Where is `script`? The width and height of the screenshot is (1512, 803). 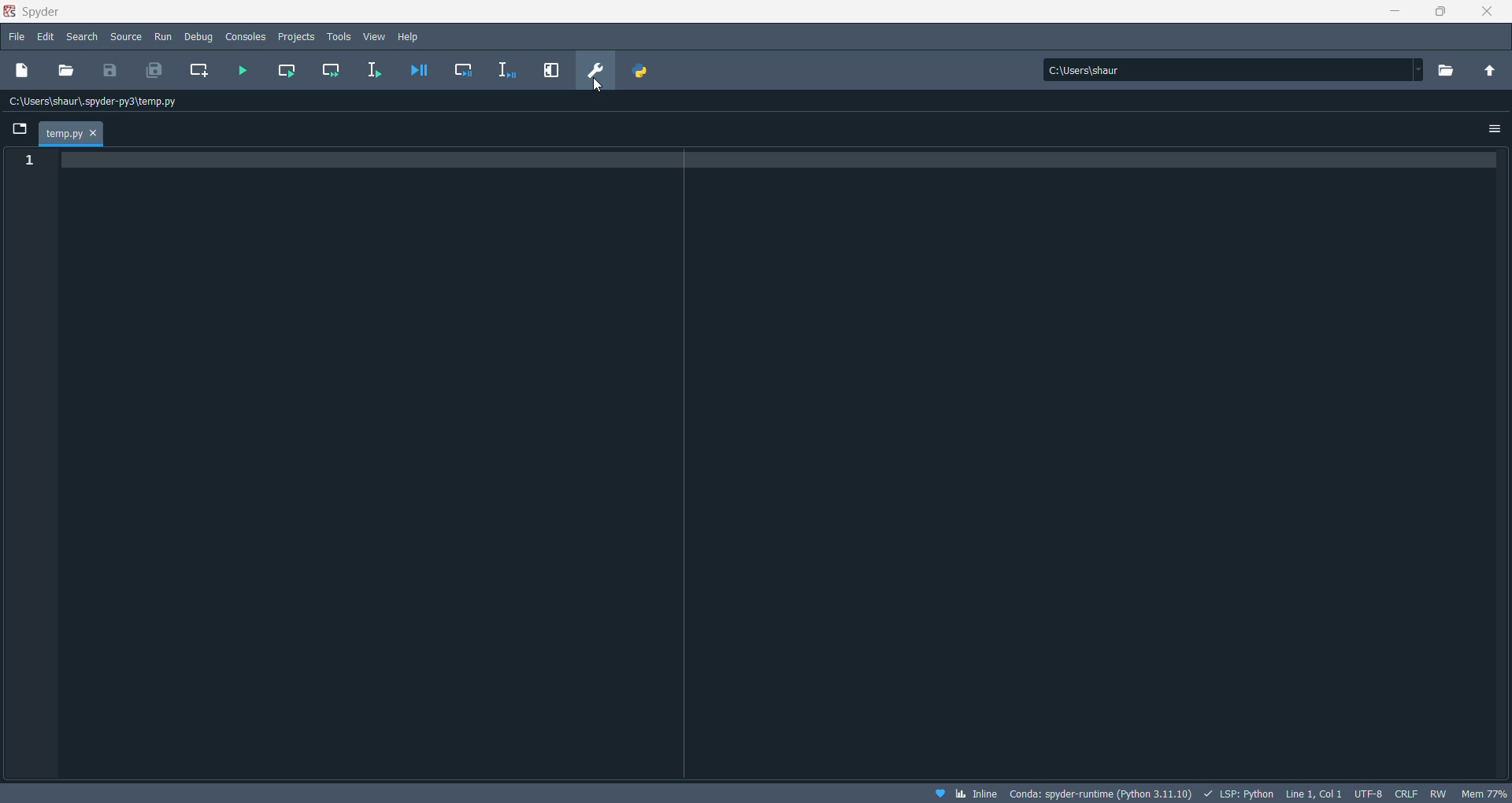 script is located at coordinates (1236, 792).